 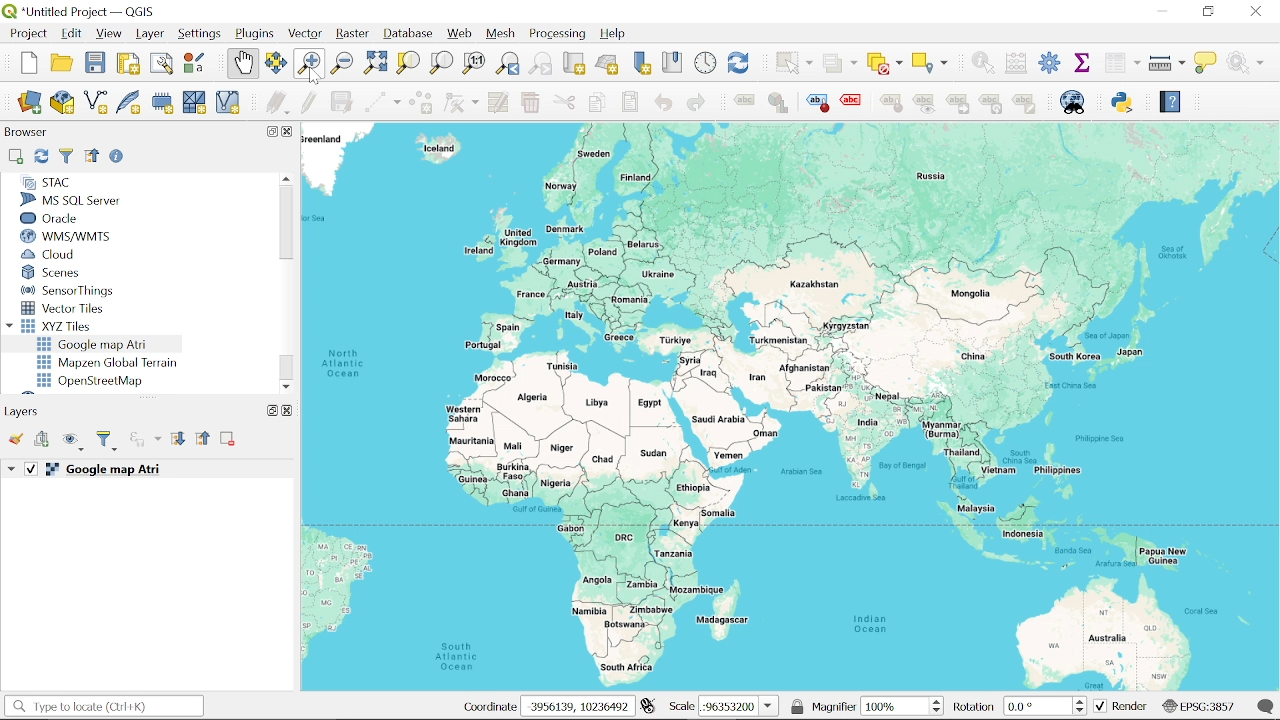 What do you see at coordinates (375, 64) in the screenshot?
I see `Zoom full` at bounding box center [375, 64].